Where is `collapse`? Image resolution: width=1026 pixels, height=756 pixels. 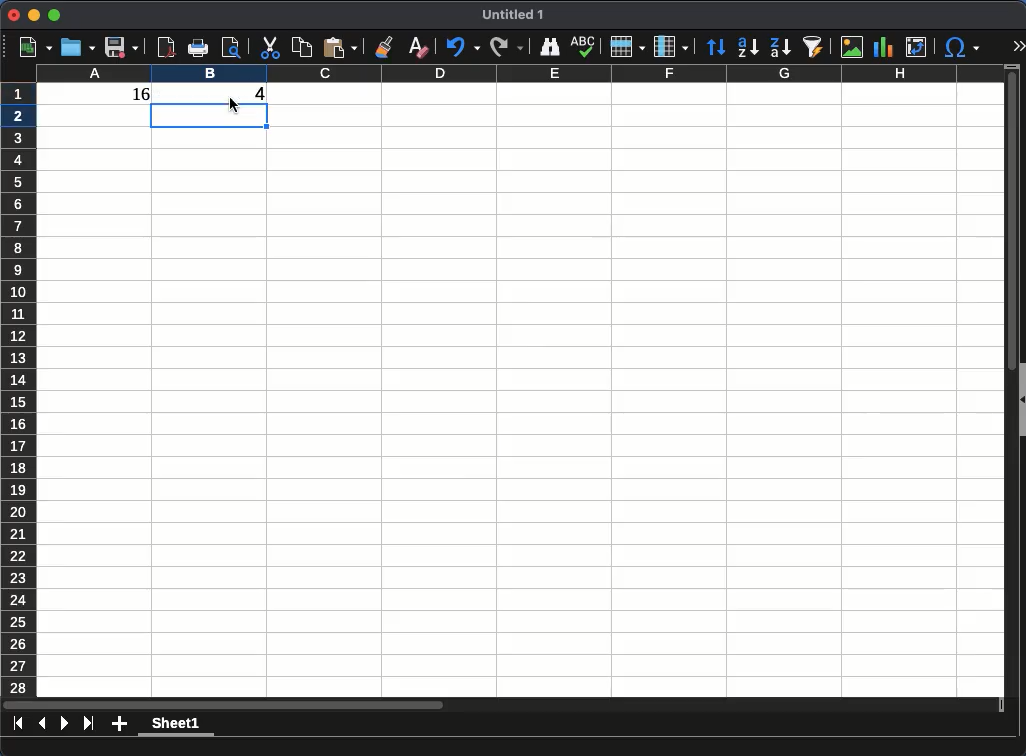
collapse is located at coordinates (1020, 401).